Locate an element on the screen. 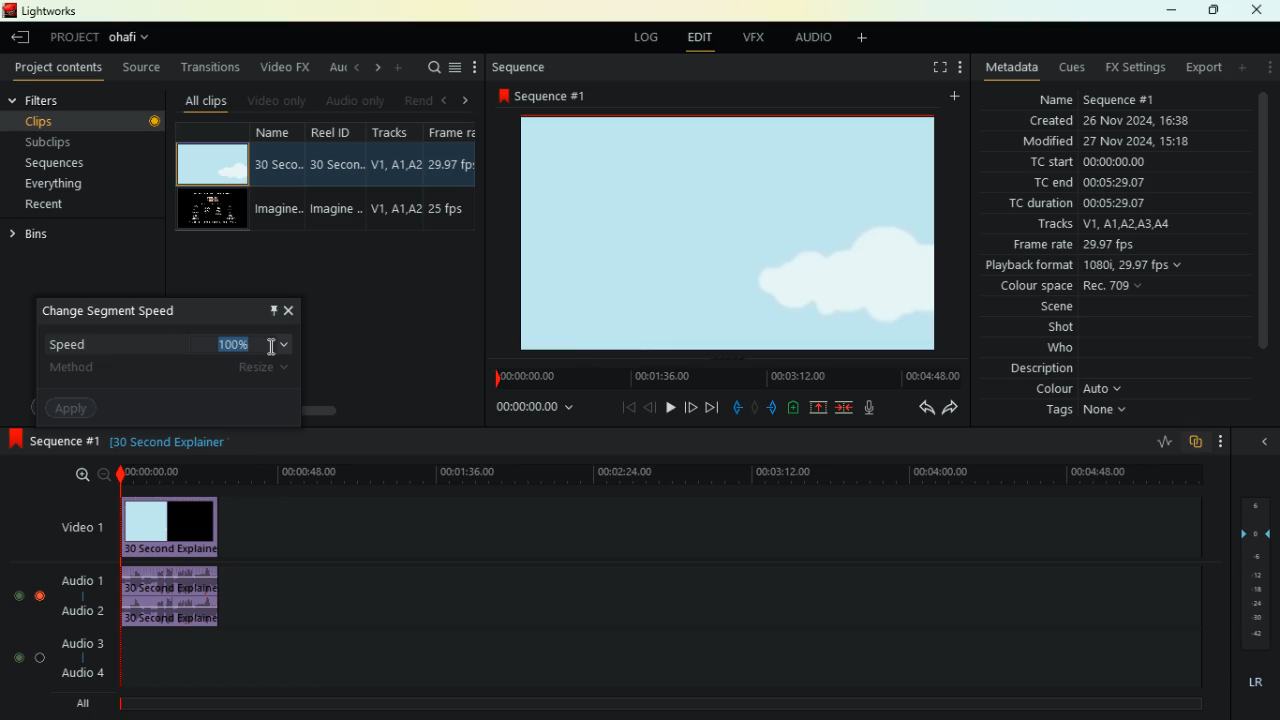 This screenshot has height=720, width=1280. source is located at coordinates (144, 69).